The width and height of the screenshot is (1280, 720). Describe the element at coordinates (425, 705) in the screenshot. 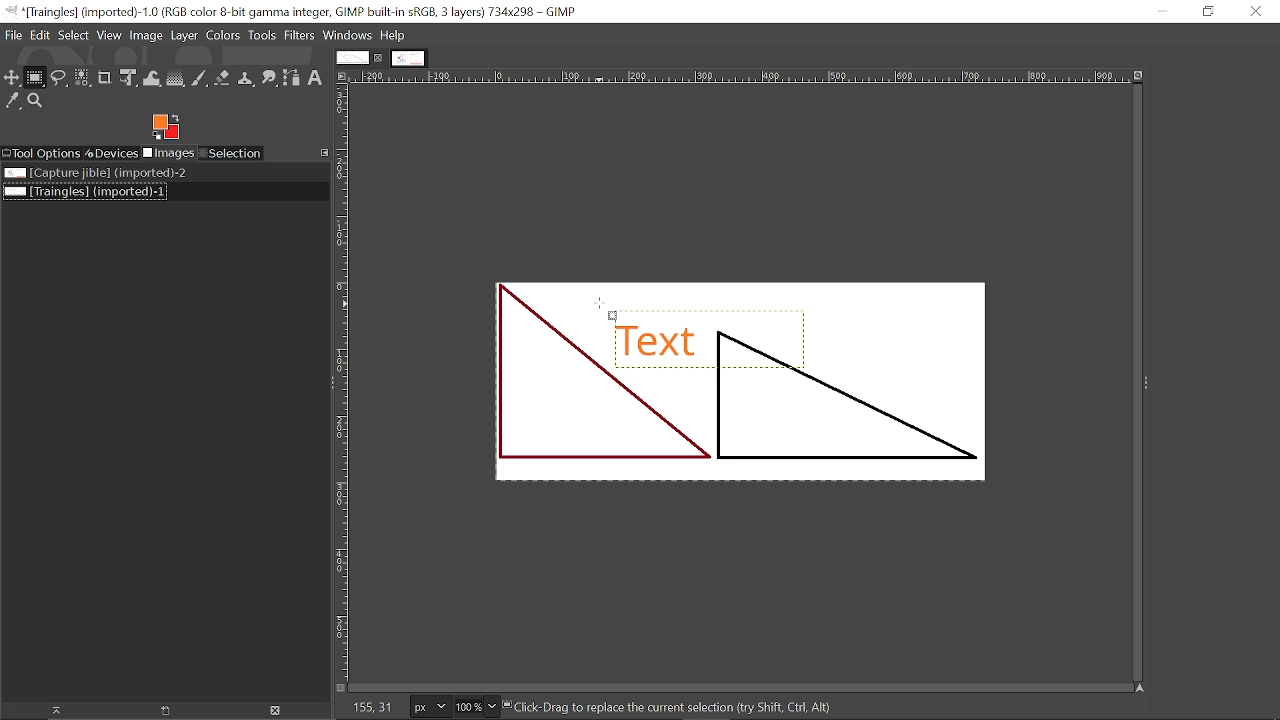

I see `Current image units` at that location.